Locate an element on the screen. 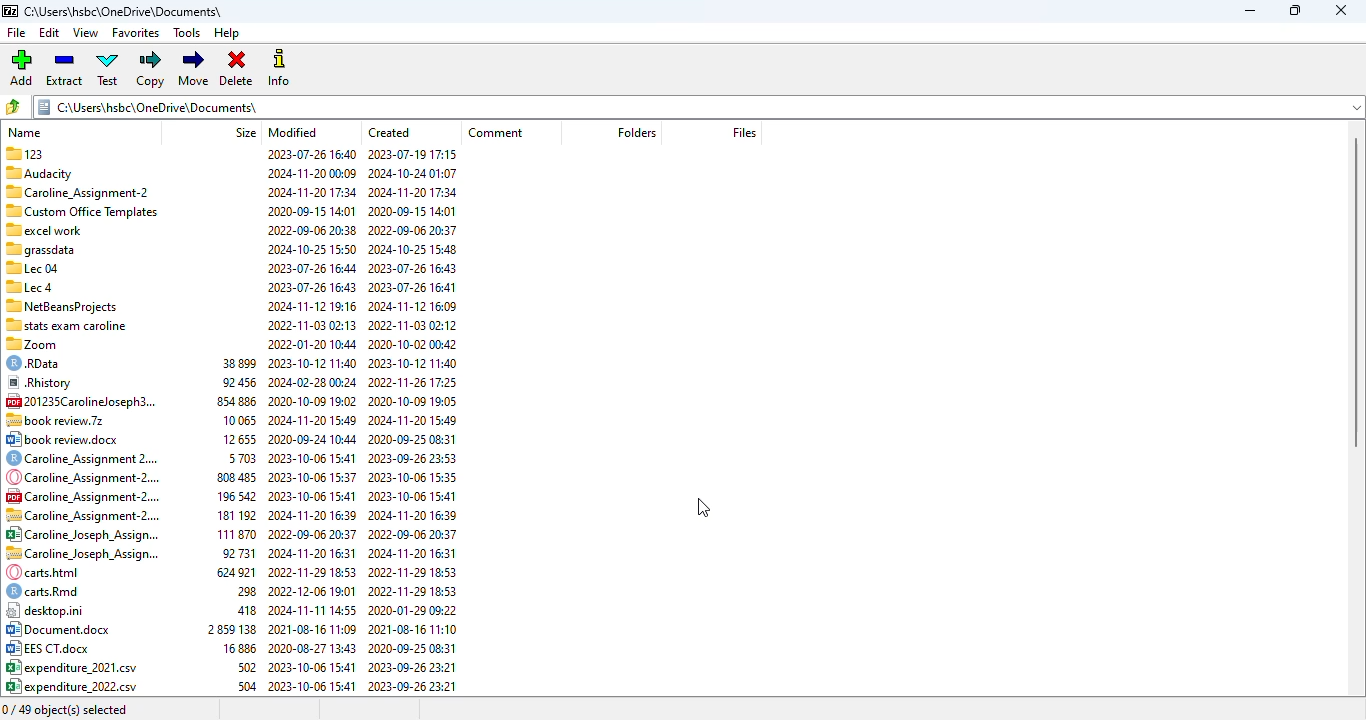 This screenshot has width=1366, height=720. name is located at coordinates (25, 132).